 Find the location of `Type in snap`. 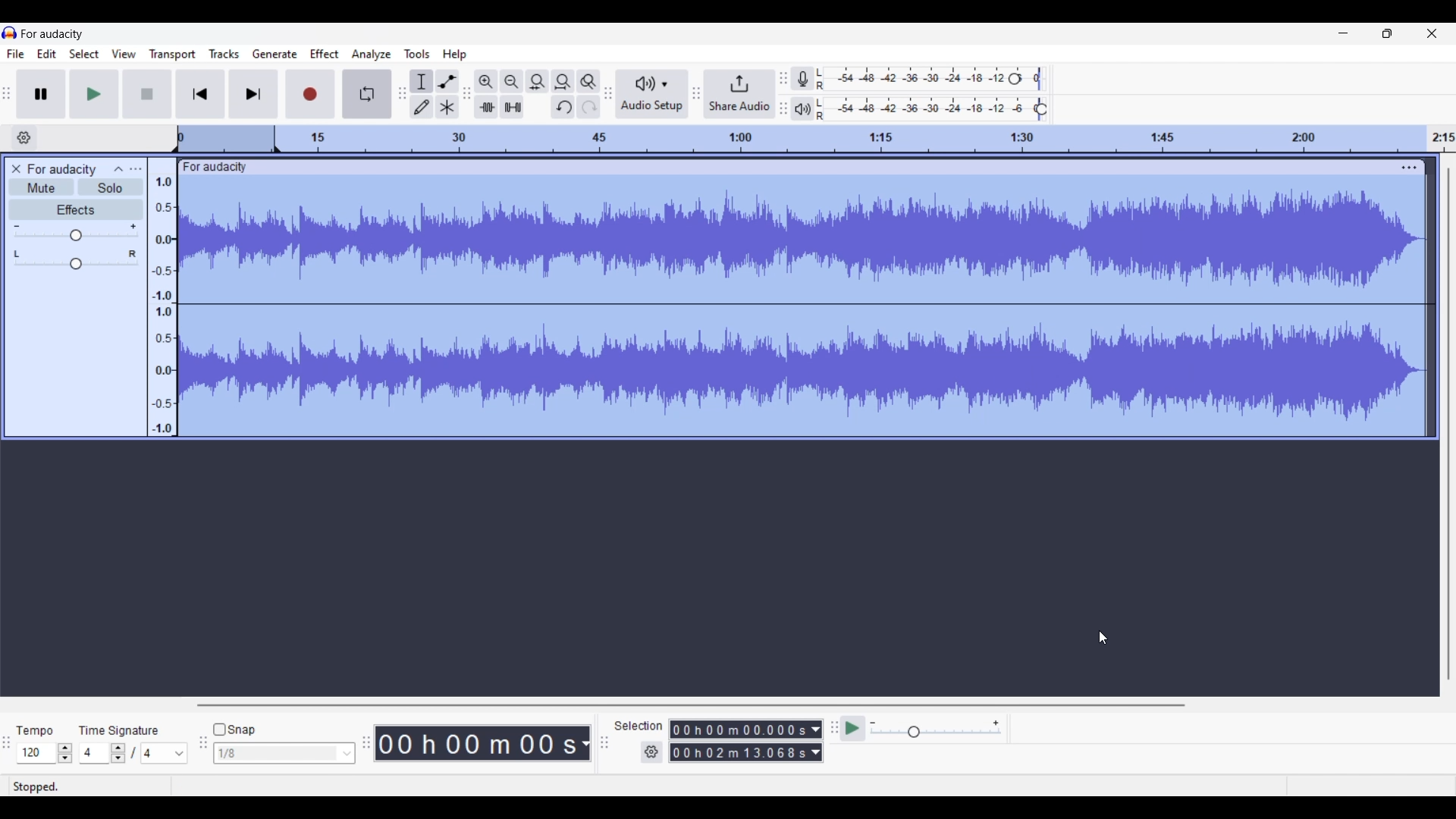

Type in snap is located at coordinates (277, 754).